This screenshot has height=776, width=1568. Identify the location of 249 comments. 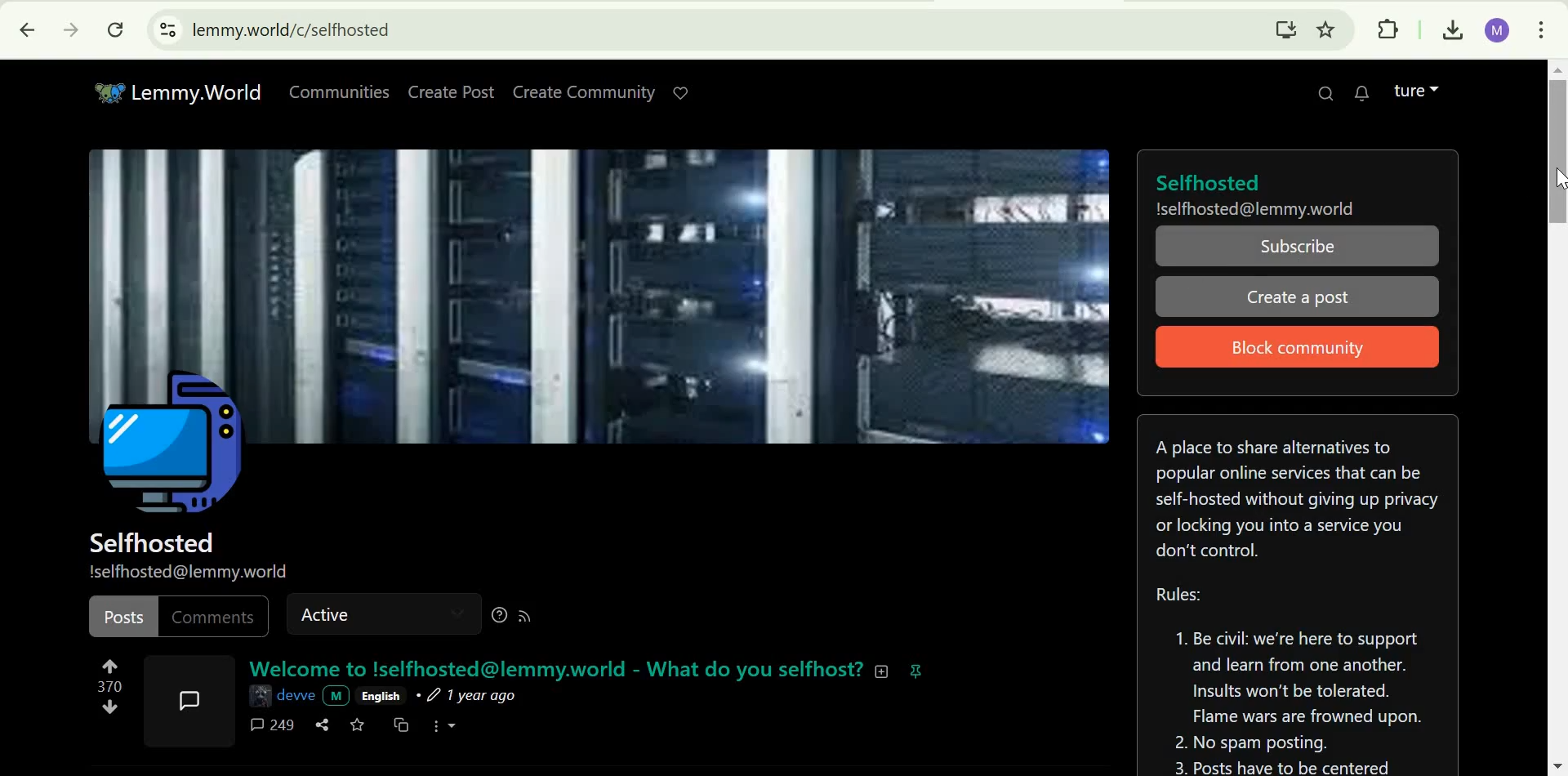
(273, 725).